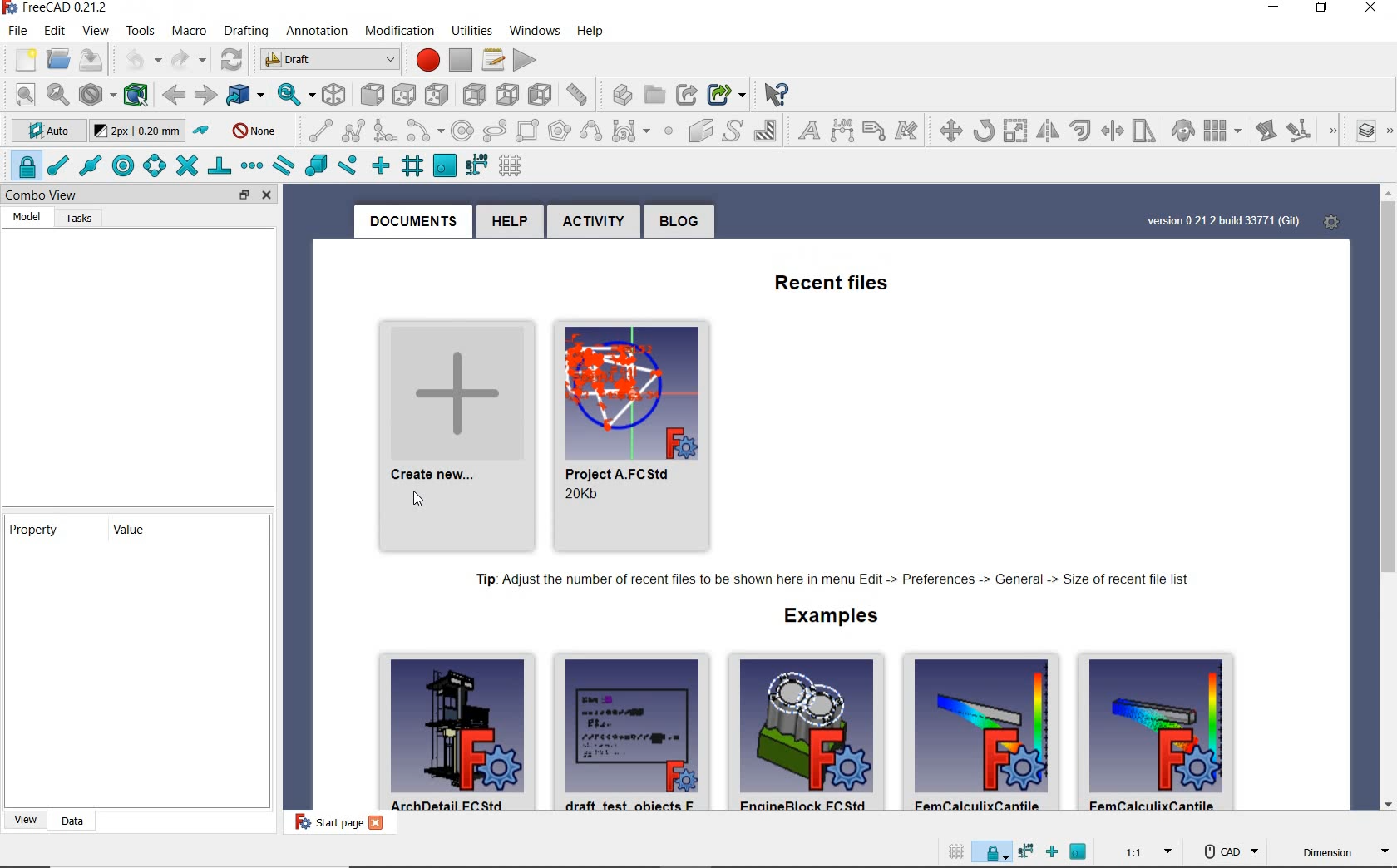 The width and height of the screenshot is (1397, 868). What do you see at coordinates (1084, 852) in the screenshot?
I see `` at bounding box center [1084, 852].